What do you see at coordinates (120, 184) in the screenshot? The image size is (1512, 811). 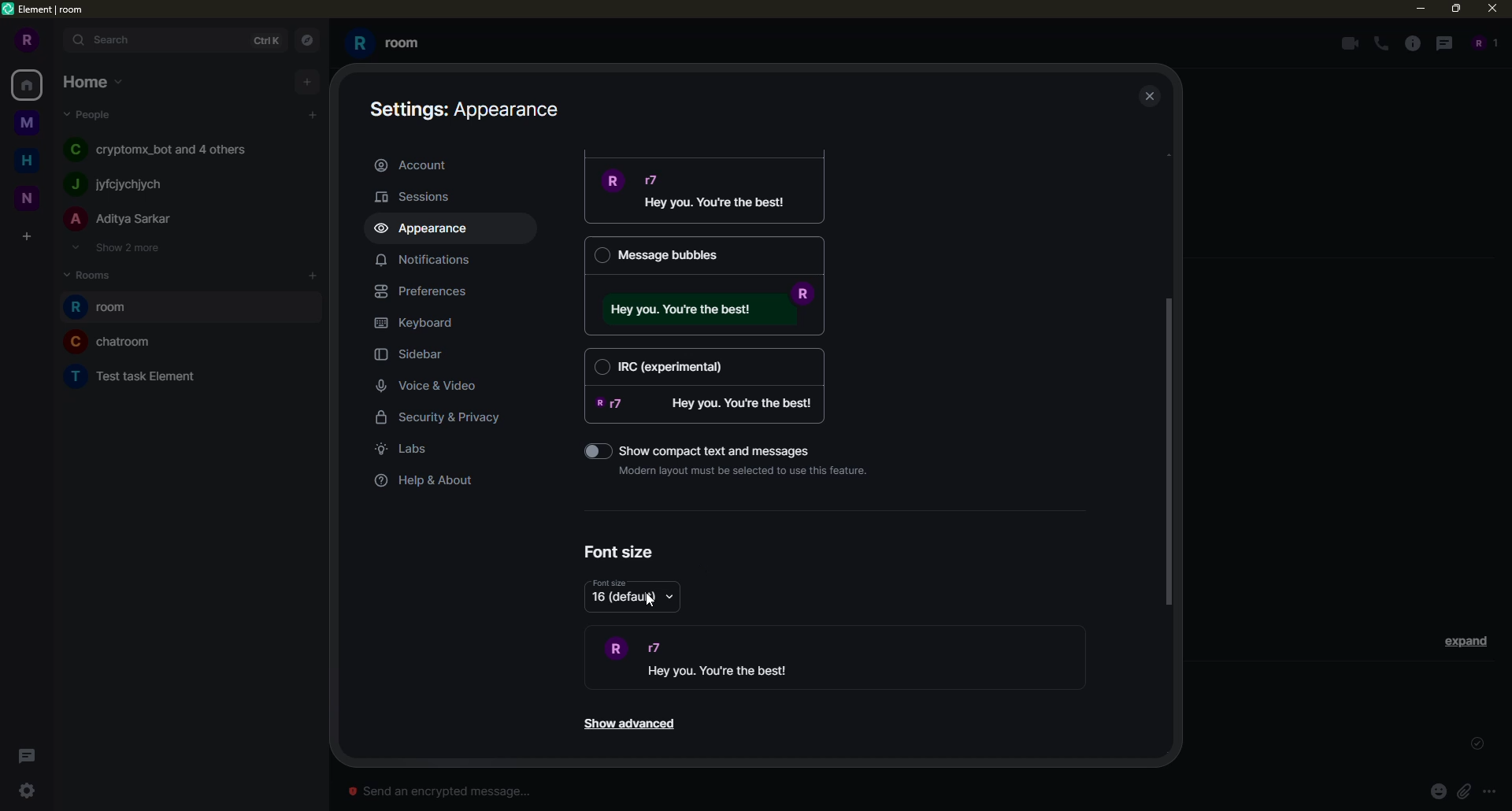 I see `people` at bounding box center [120, 184].